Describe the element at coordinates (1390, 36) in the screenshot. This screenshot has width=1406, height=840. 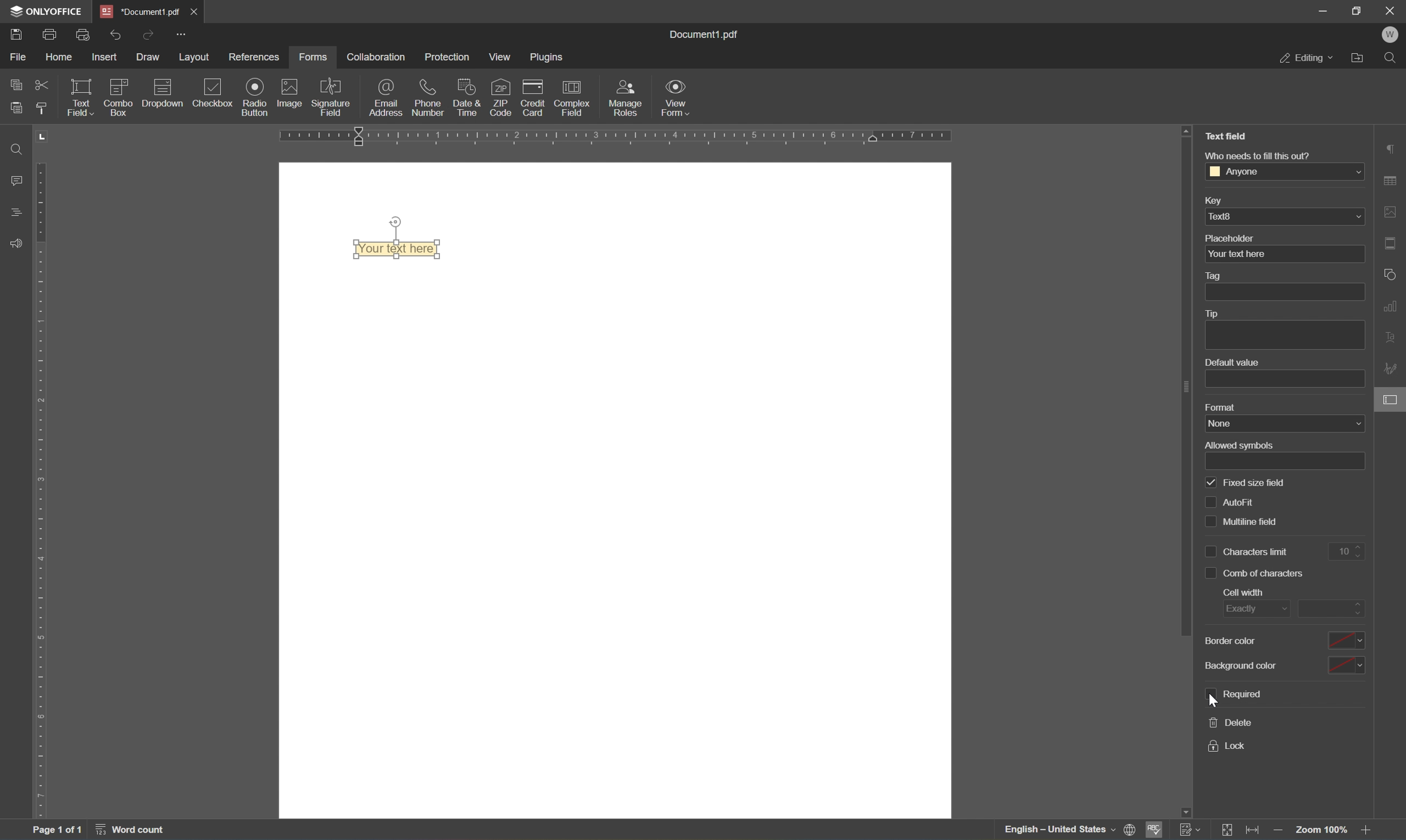
I see `welcome` at that location.